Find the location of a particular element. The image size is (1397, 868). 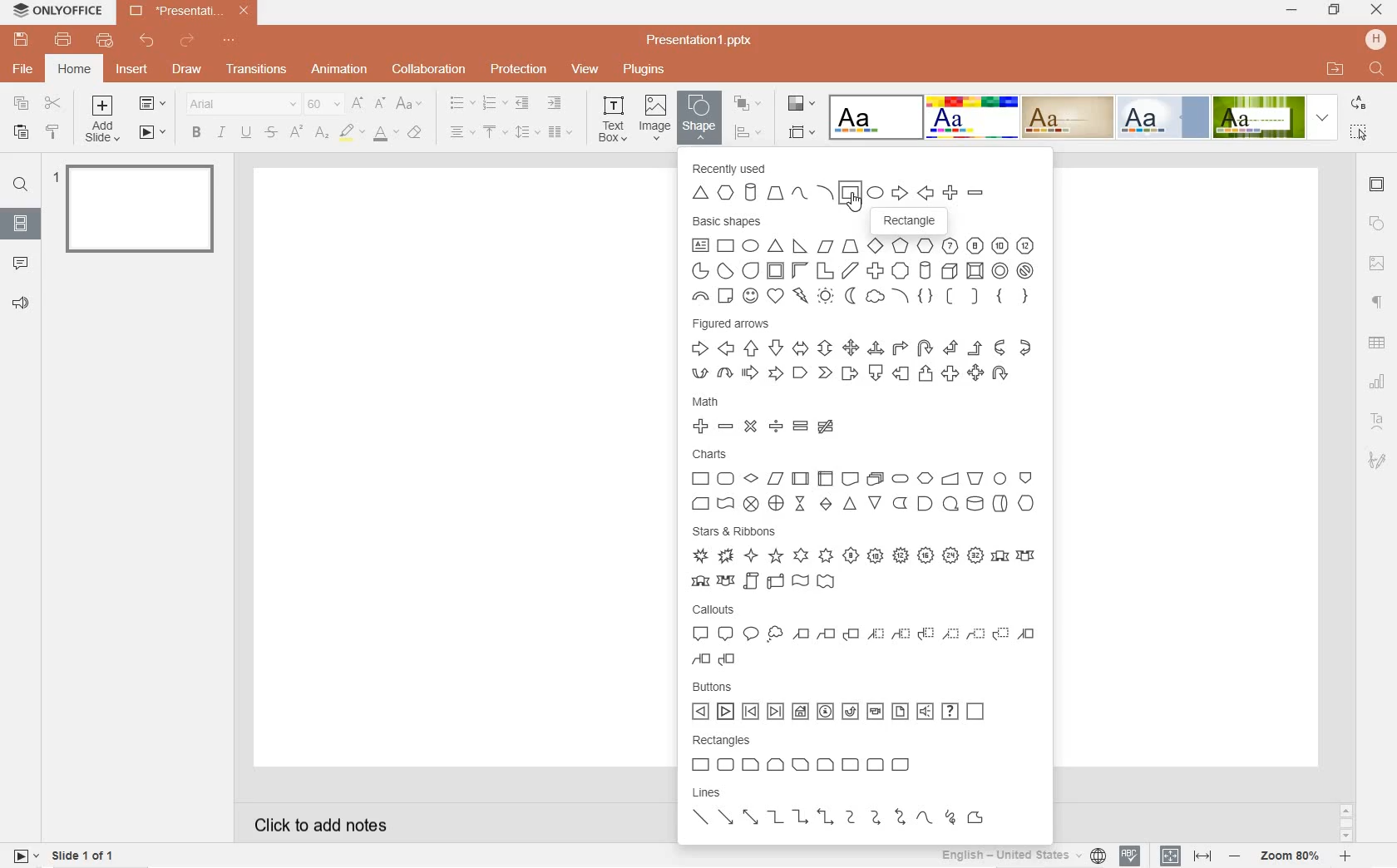

start slide show is located at coordinates (153, 133).